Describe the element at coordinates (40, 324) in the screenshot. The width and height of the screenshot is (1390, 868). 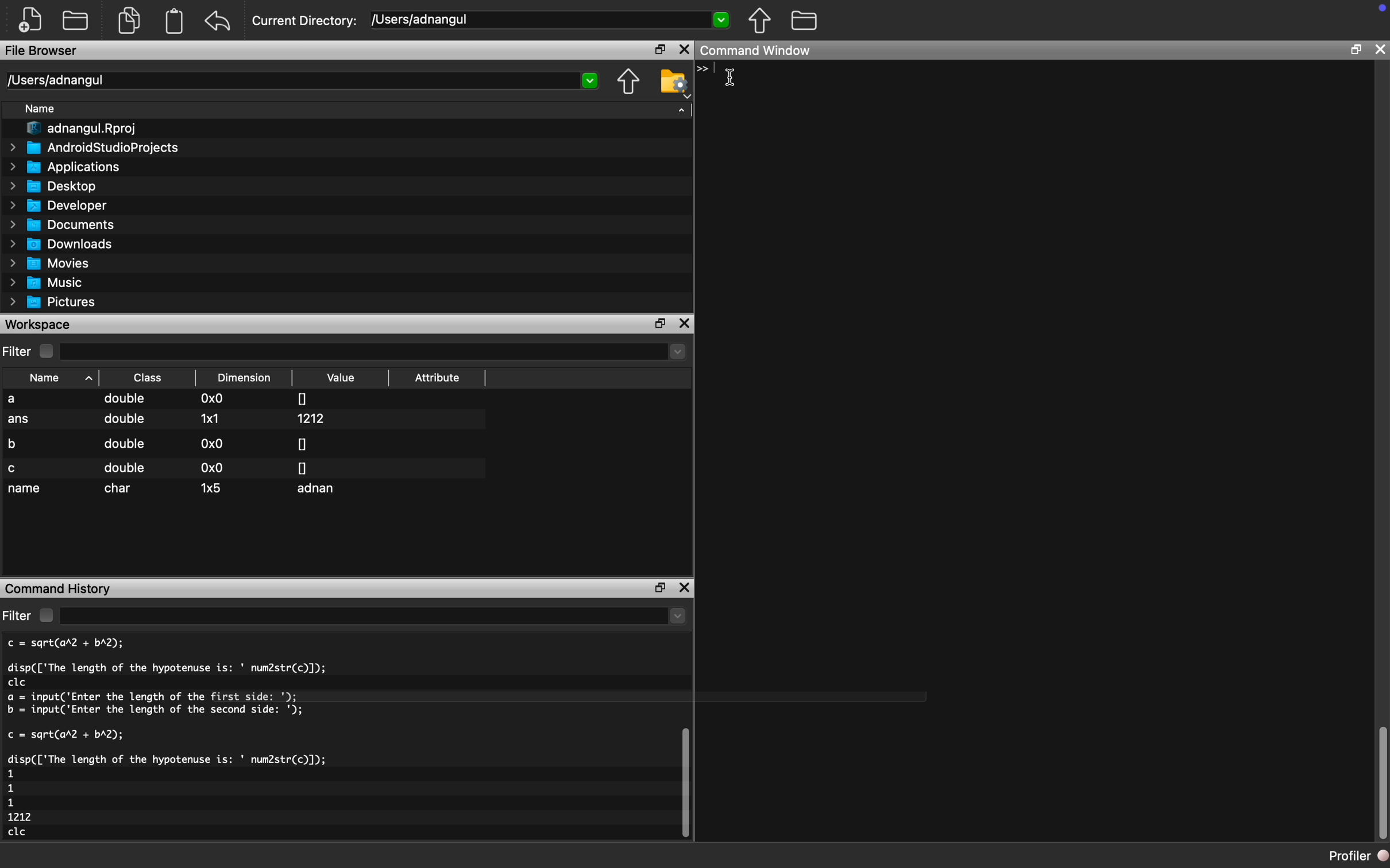
I see `Workspace` at that location.